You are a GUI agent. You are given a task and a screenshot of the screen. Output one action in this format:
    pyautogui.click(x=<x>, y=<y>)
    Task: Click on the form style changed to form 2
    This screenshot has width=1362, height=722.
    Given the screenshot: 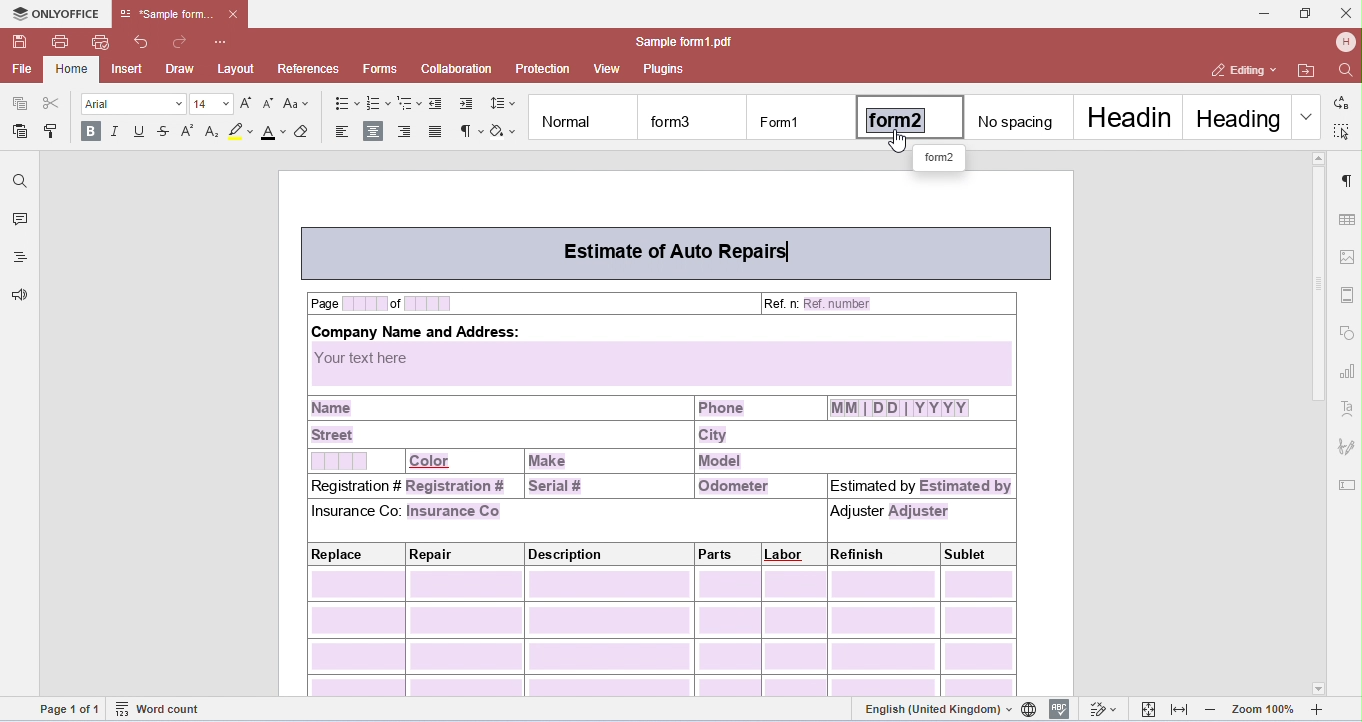 What is the action you would take?
    pyautogui.click(x=673, y=456)
    